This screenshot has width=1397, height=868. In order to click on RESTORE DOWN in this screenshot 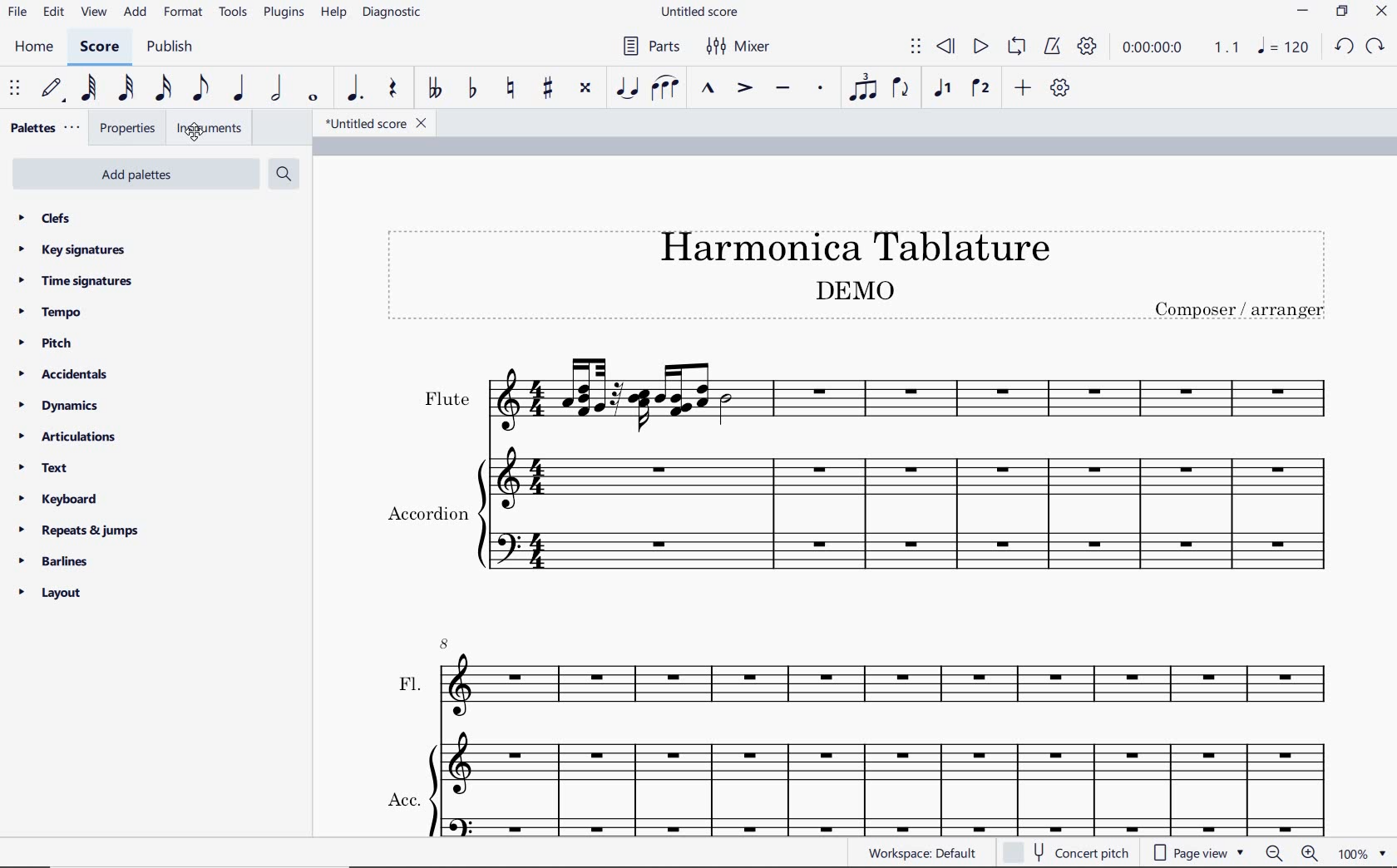, I will do `click(1341, 12)`.